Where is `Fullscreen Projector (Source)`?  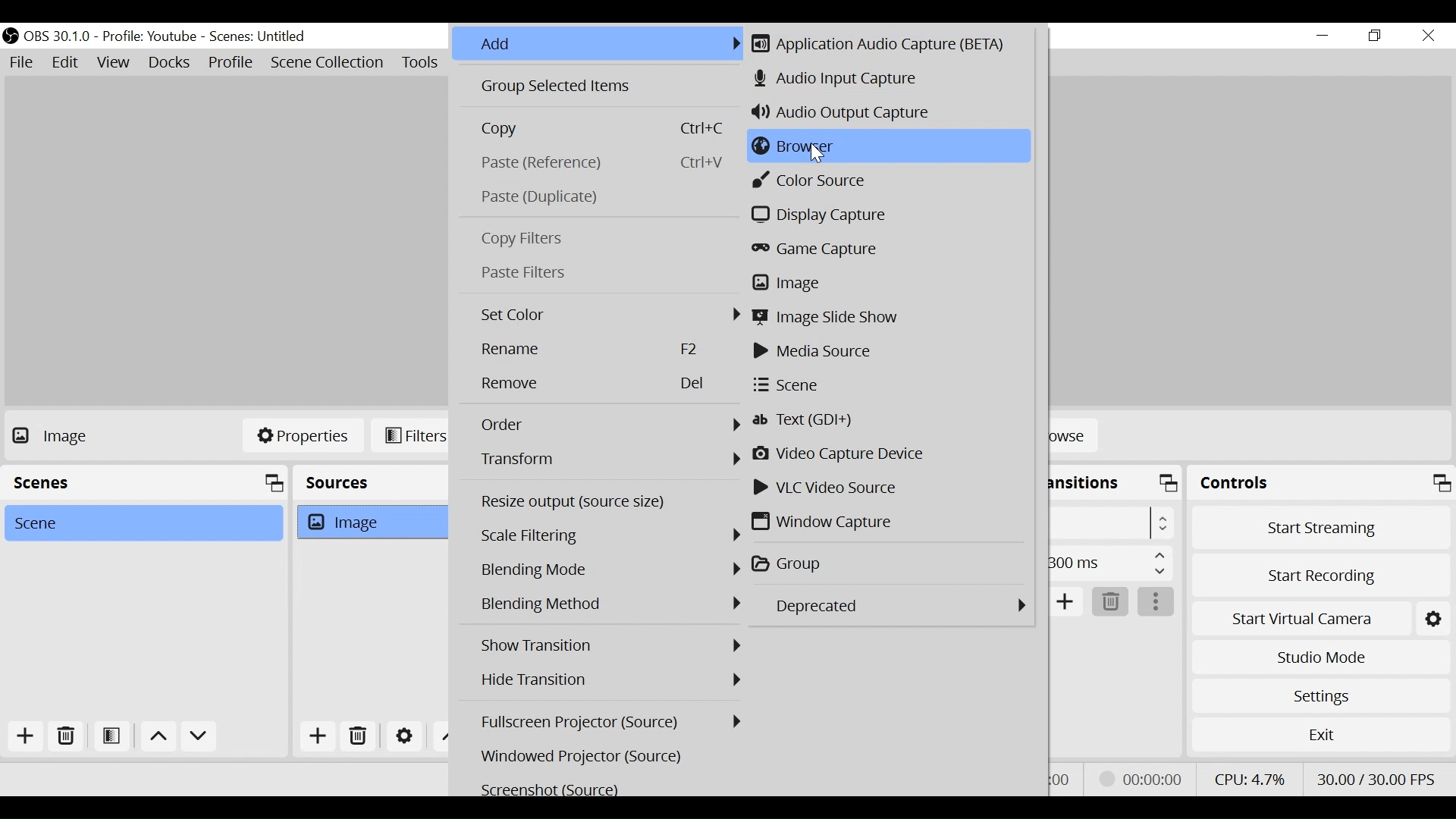
Fullscreen Projector (Source) is located at coordinates (615, 724).